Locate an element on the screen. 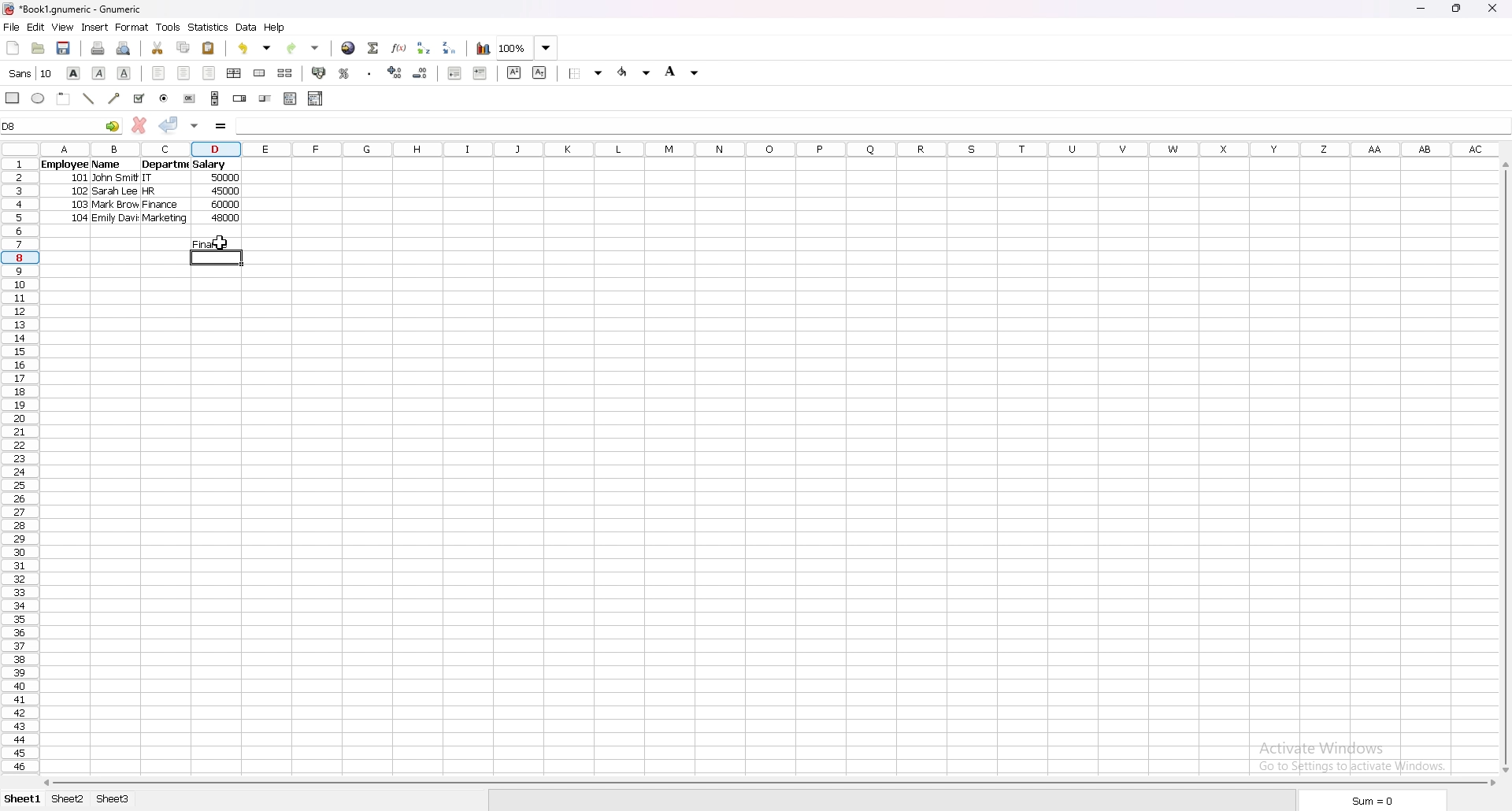  button is located at coordinates (191, 98).